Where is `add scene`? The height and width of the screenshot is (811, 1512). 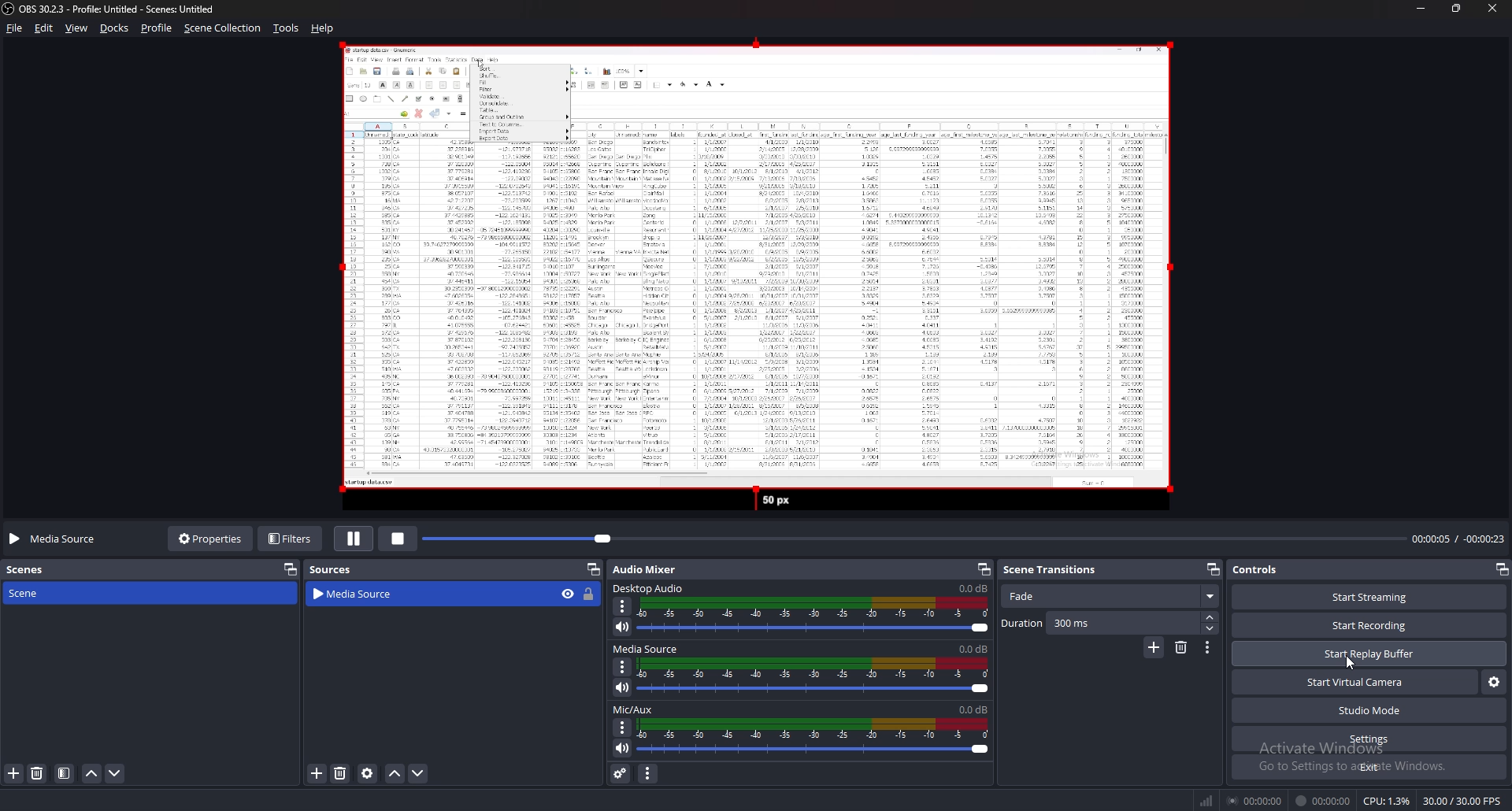
add scene is located at coordinates (14, 774).